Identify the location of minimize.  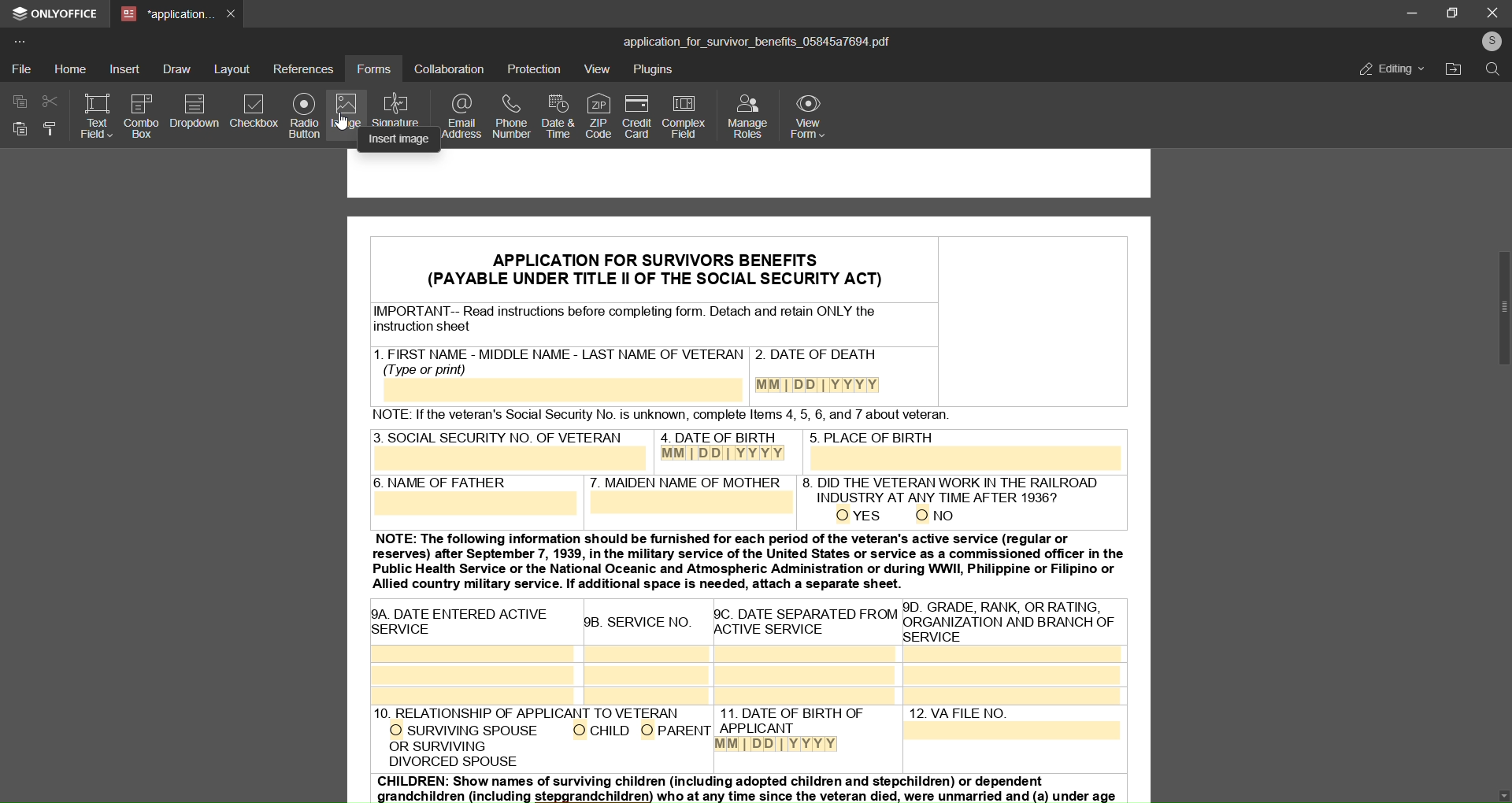
(1407, 13).